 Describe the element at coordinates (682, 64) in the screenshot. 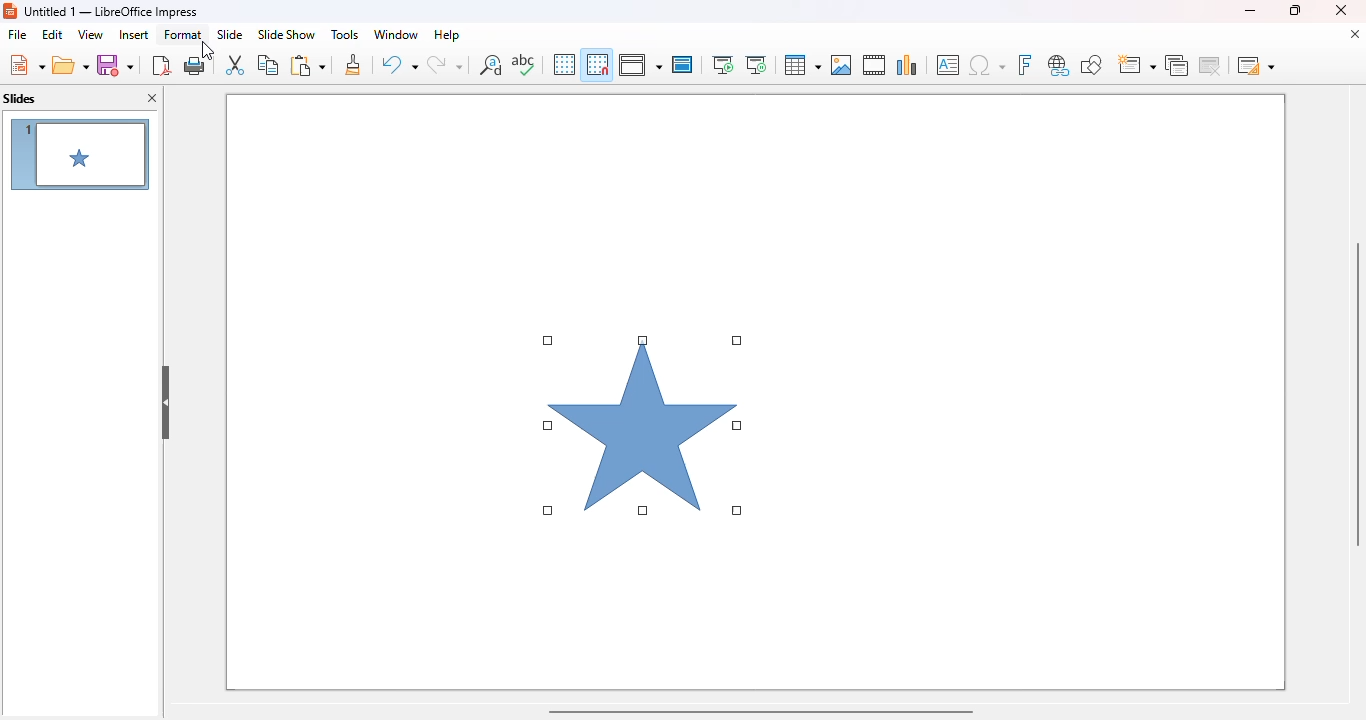

I see `master slide` at that location.